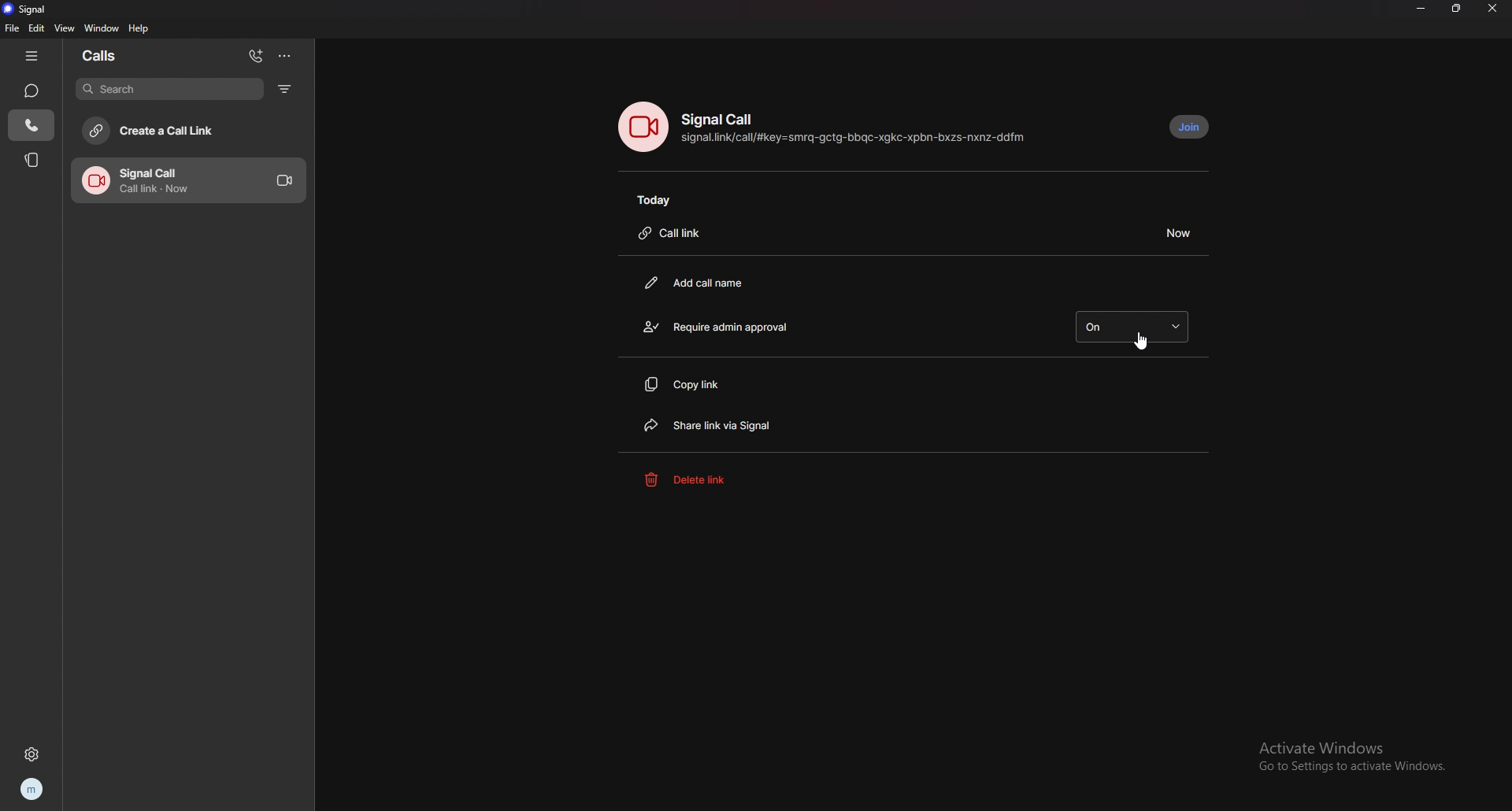 This screenshot has width=1512, height=811. I want to click on window, so click(102, 28).